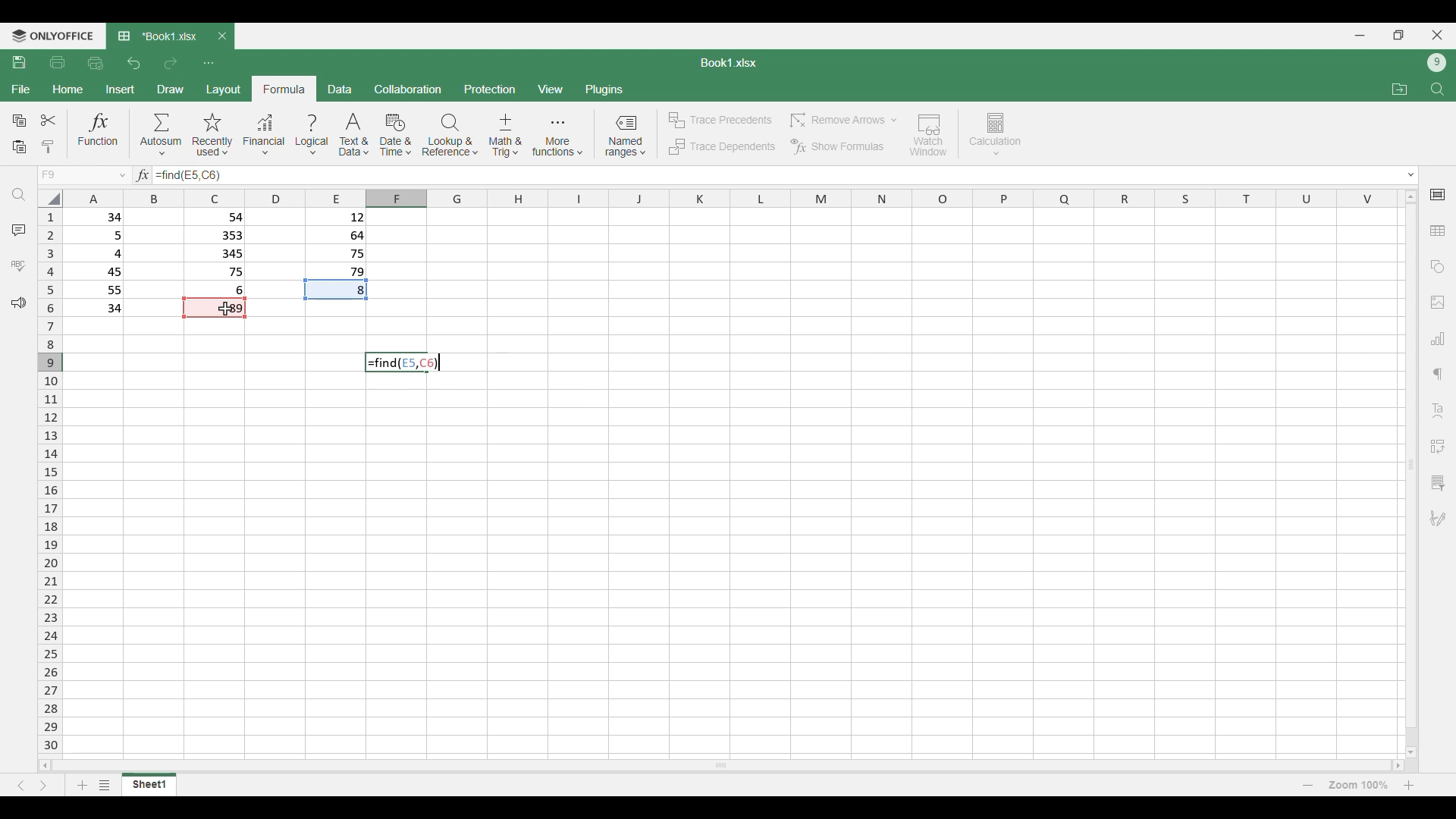  I want to click on Customize quick access toolbar, so click(209, 64).